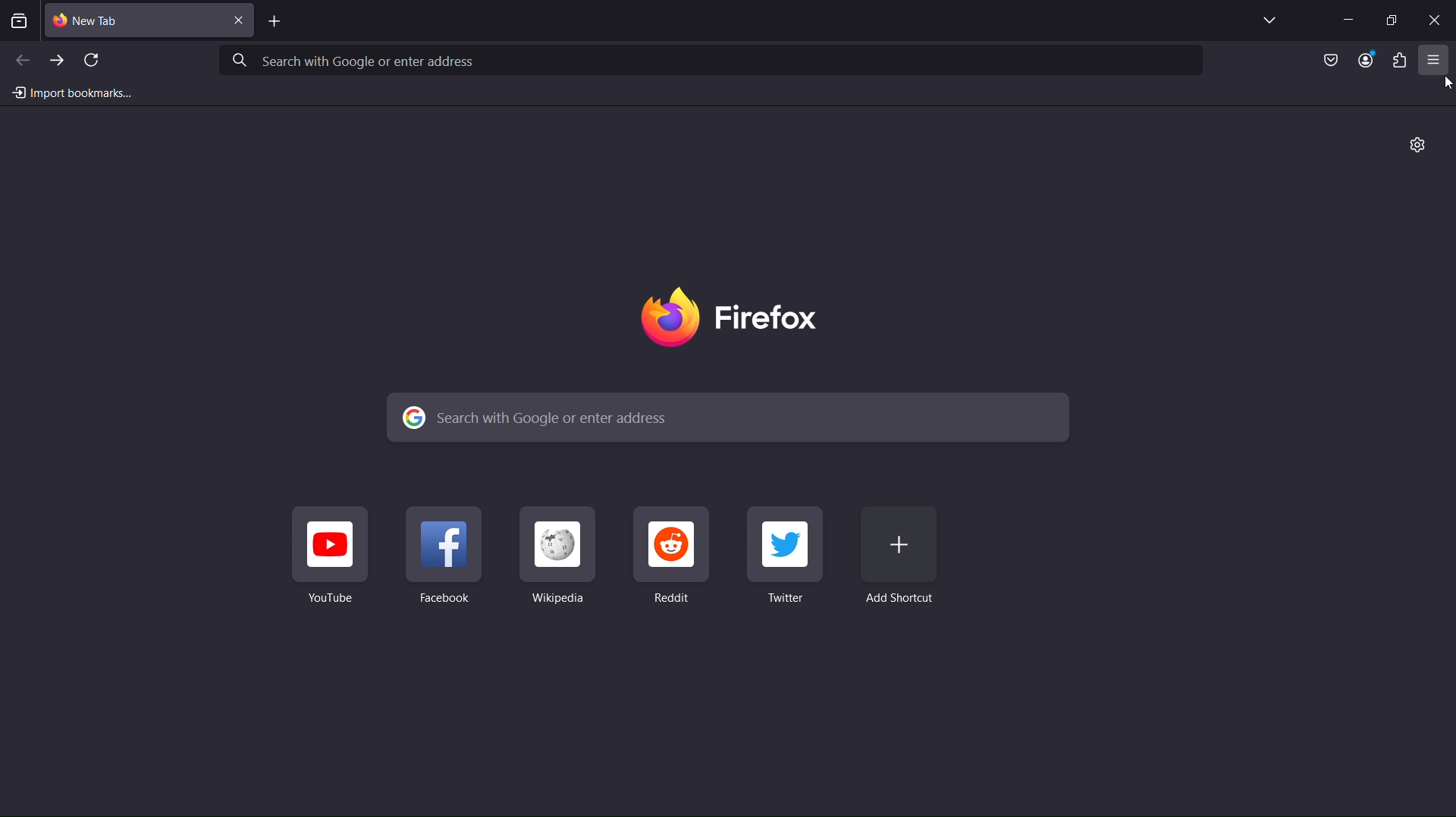  What do you see at coordinates (1436, 80) in the screenshot?
I see `cursor` at bounding box center [1436, 80].